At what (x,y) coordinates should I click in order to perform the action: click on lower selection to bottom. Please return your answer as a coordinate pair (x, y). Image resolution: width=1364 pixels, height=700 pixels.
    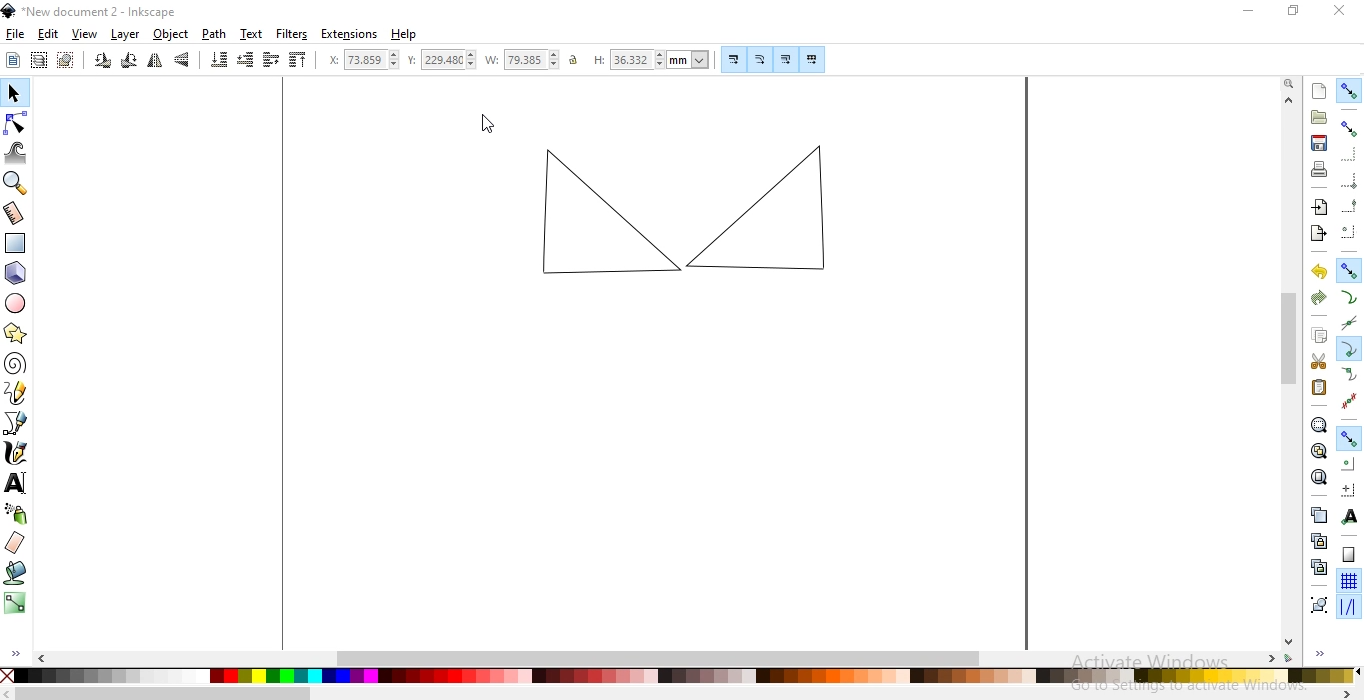
    Looking at the image, I should click on (218, 62).